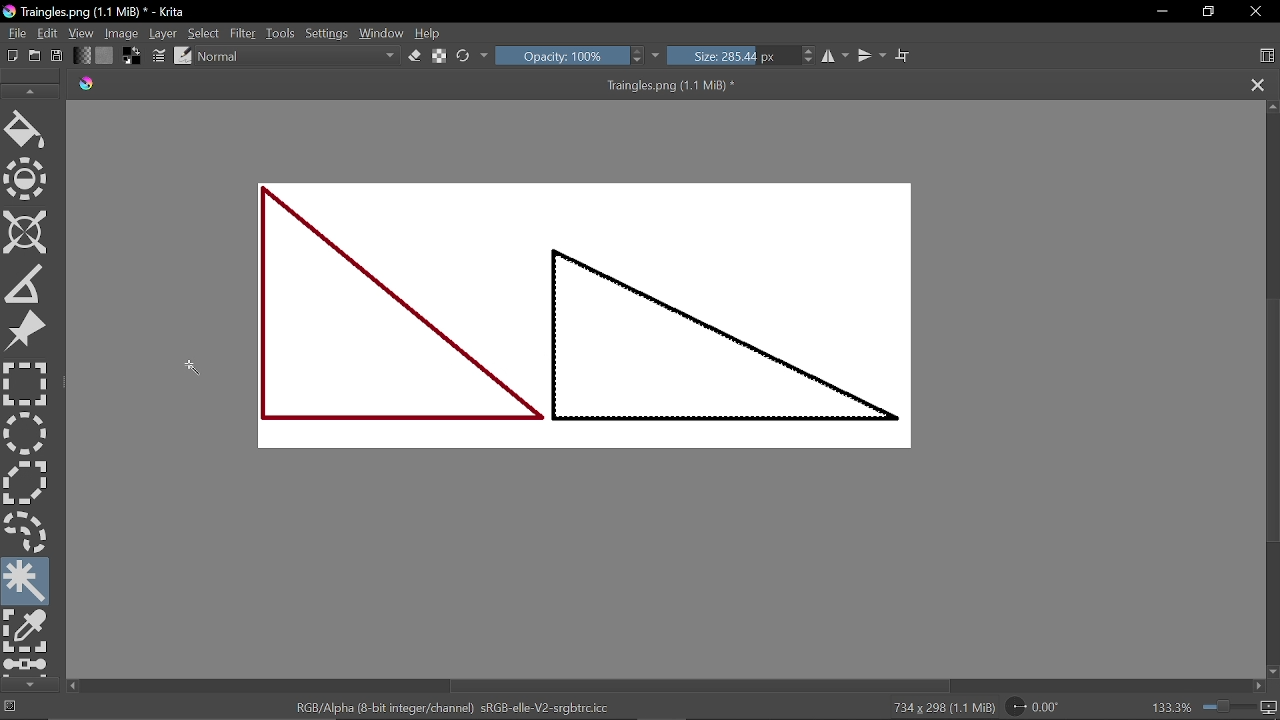 The width and height of the screenshot is (1280, 720). I want to click on Move right, so click(1258, 685).